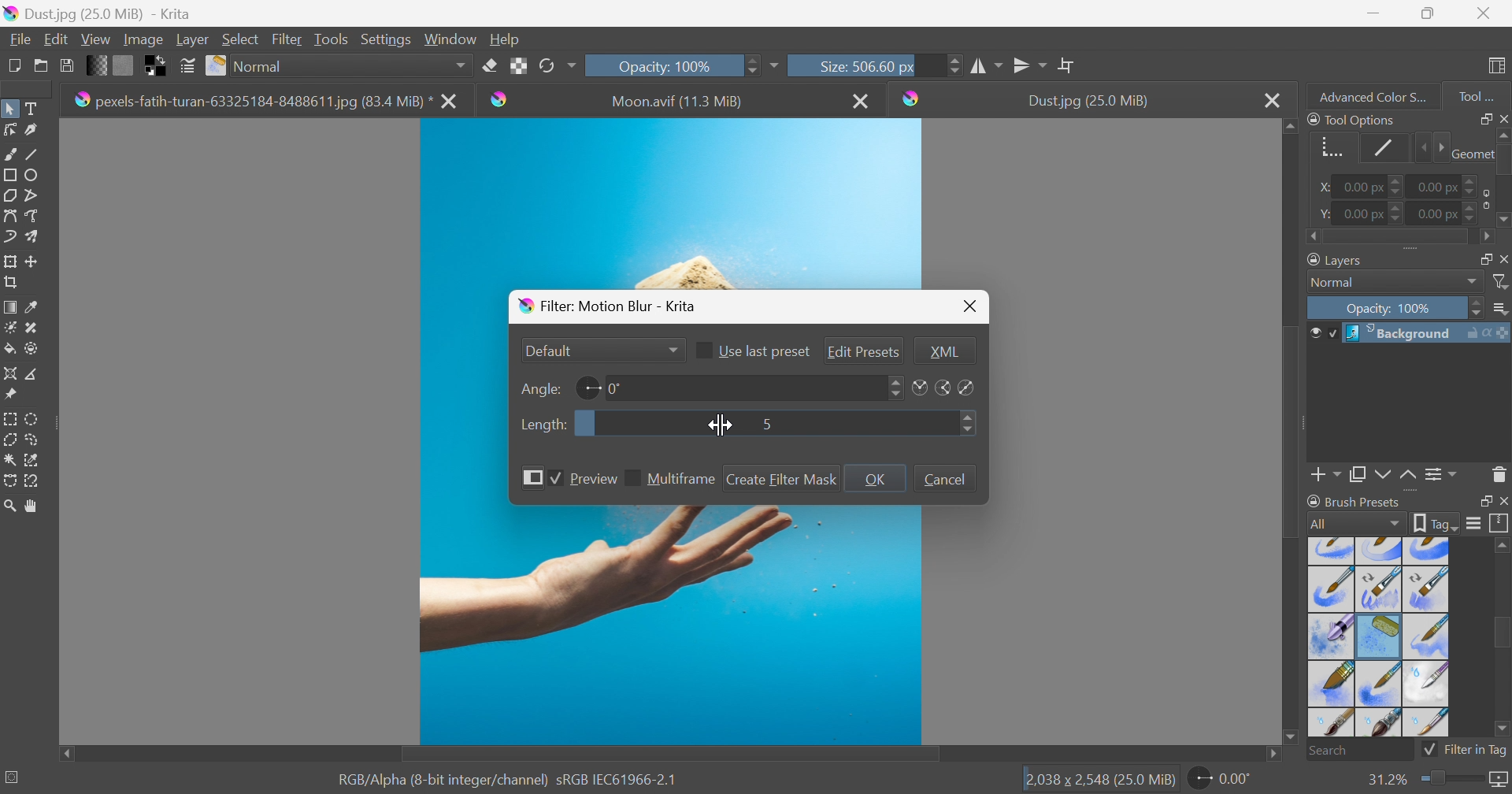 Image resolution: width=1512 pixels, height=794 pixels. Describe the element at coordinates (783, 479) in the screenshot. I see `Create Filter Mask` at that location.